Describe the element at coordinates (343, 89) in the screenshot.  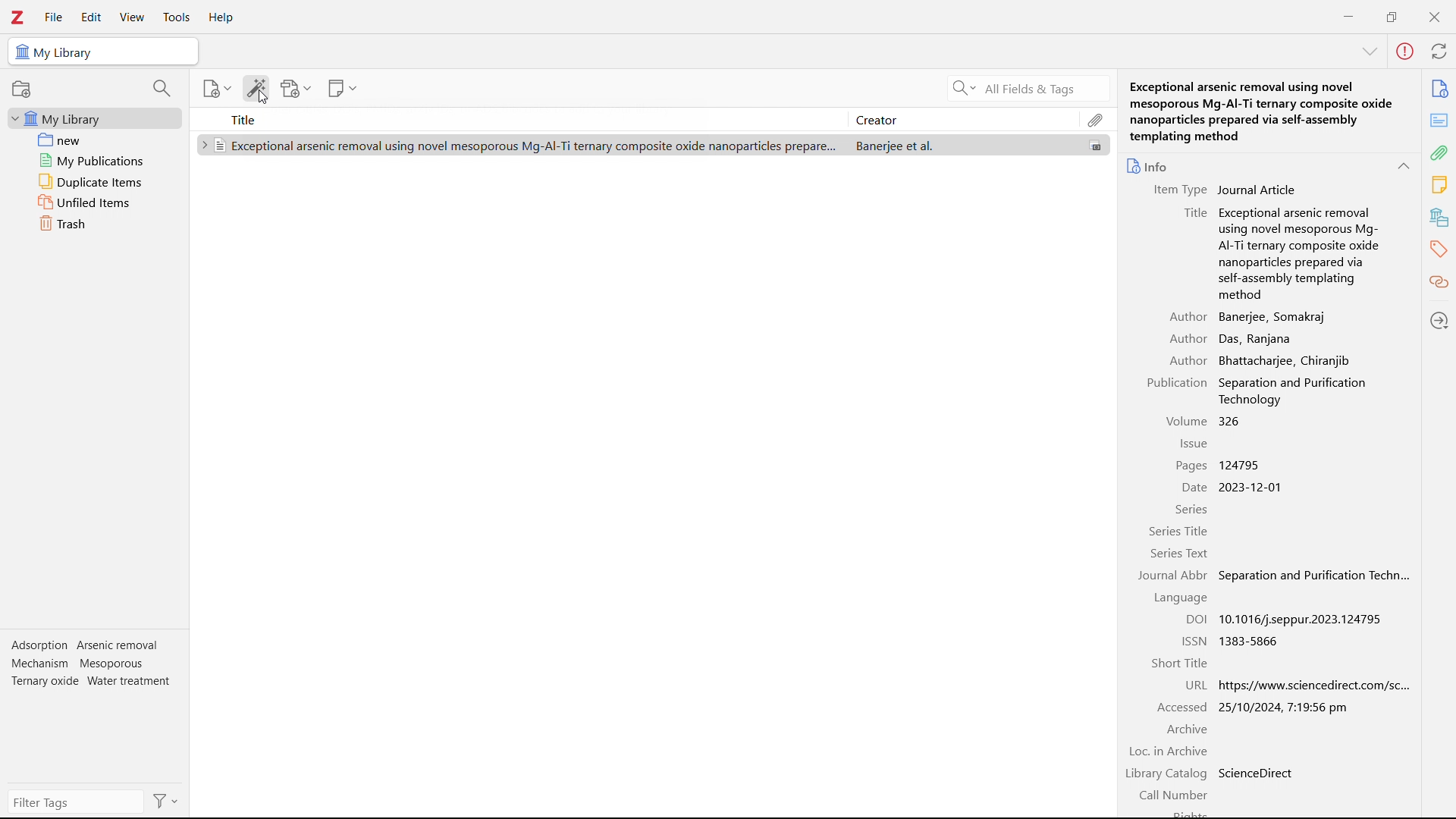
I see `add notes` at that location.